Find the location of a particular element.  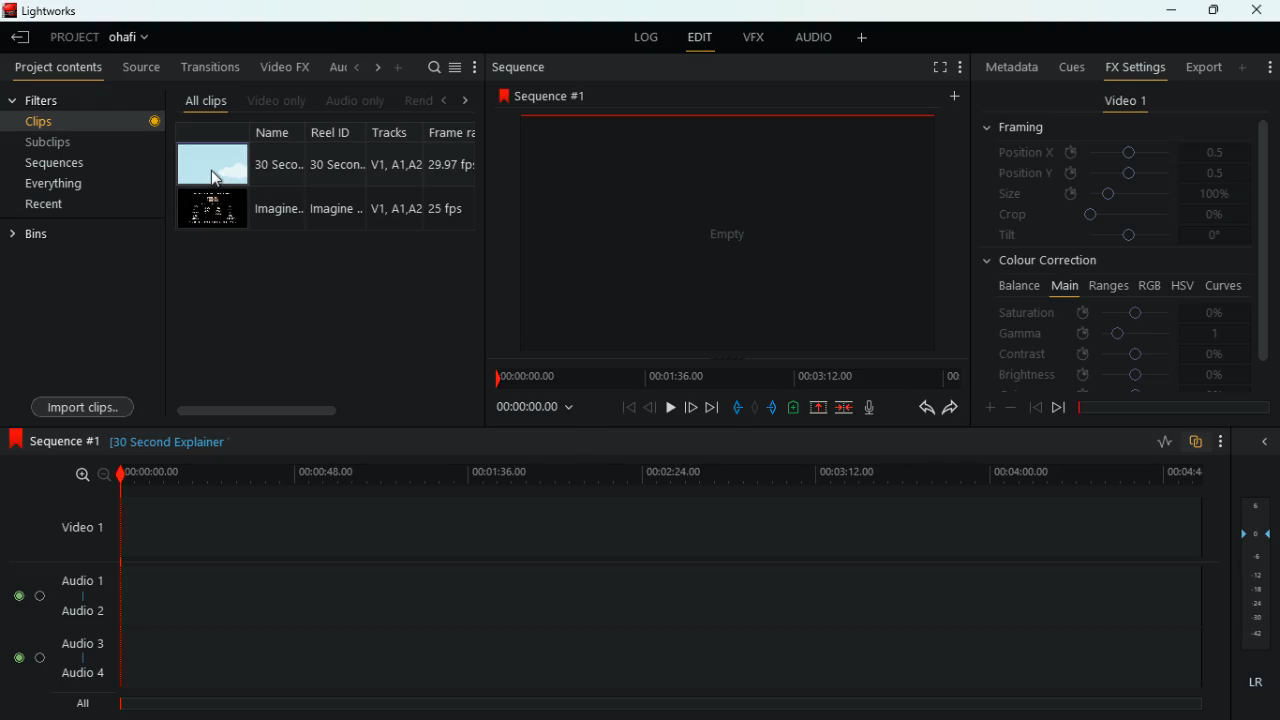

audio 4 is located at coordinates (82, 672).